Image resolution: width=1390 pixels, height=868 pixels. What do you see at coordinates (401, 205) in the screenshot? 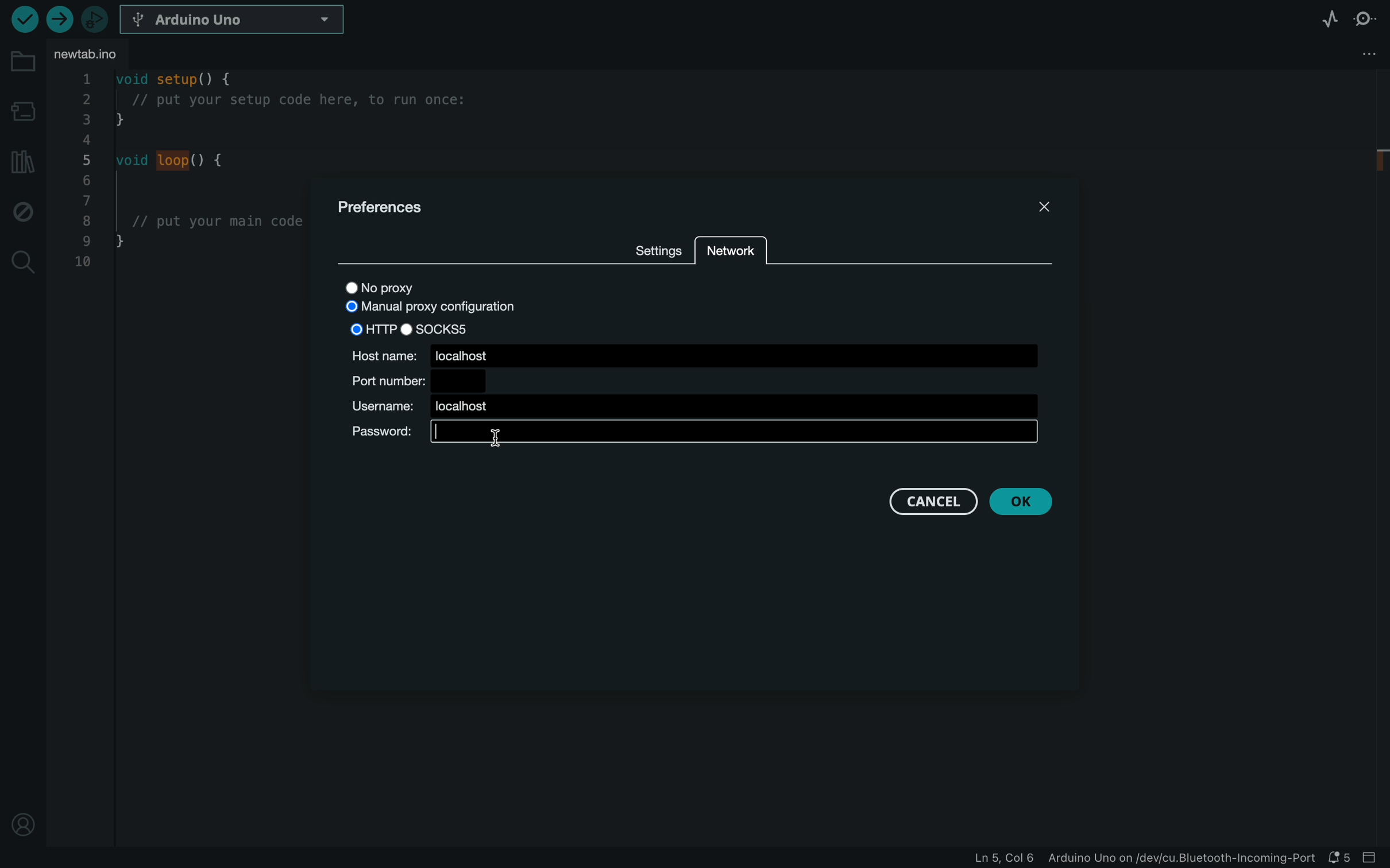
I see `prefernces` at bounding box center [401, 205].